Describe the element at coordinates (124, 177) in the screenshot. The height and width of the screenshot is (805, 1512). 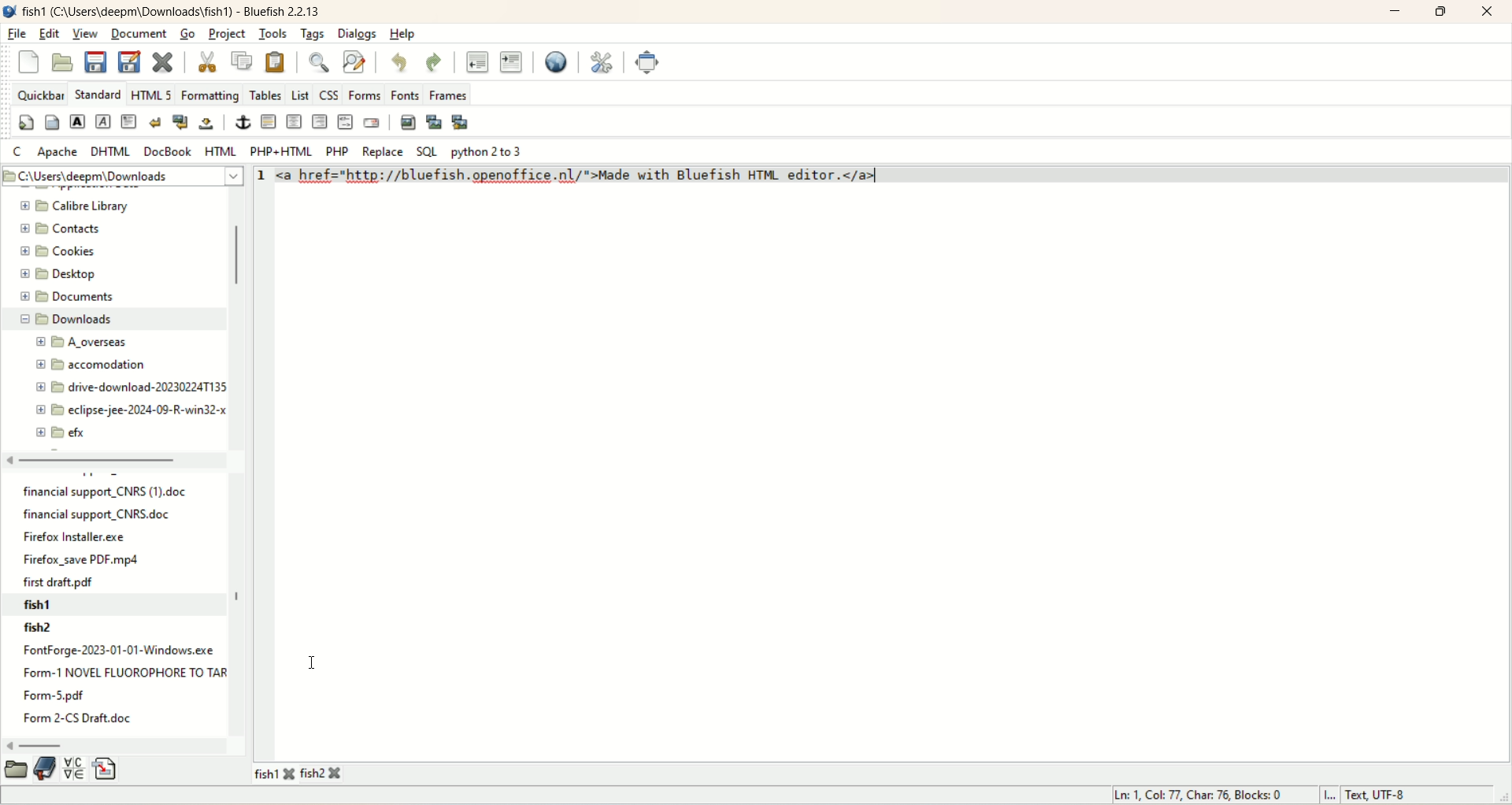
I see `location` at that location.